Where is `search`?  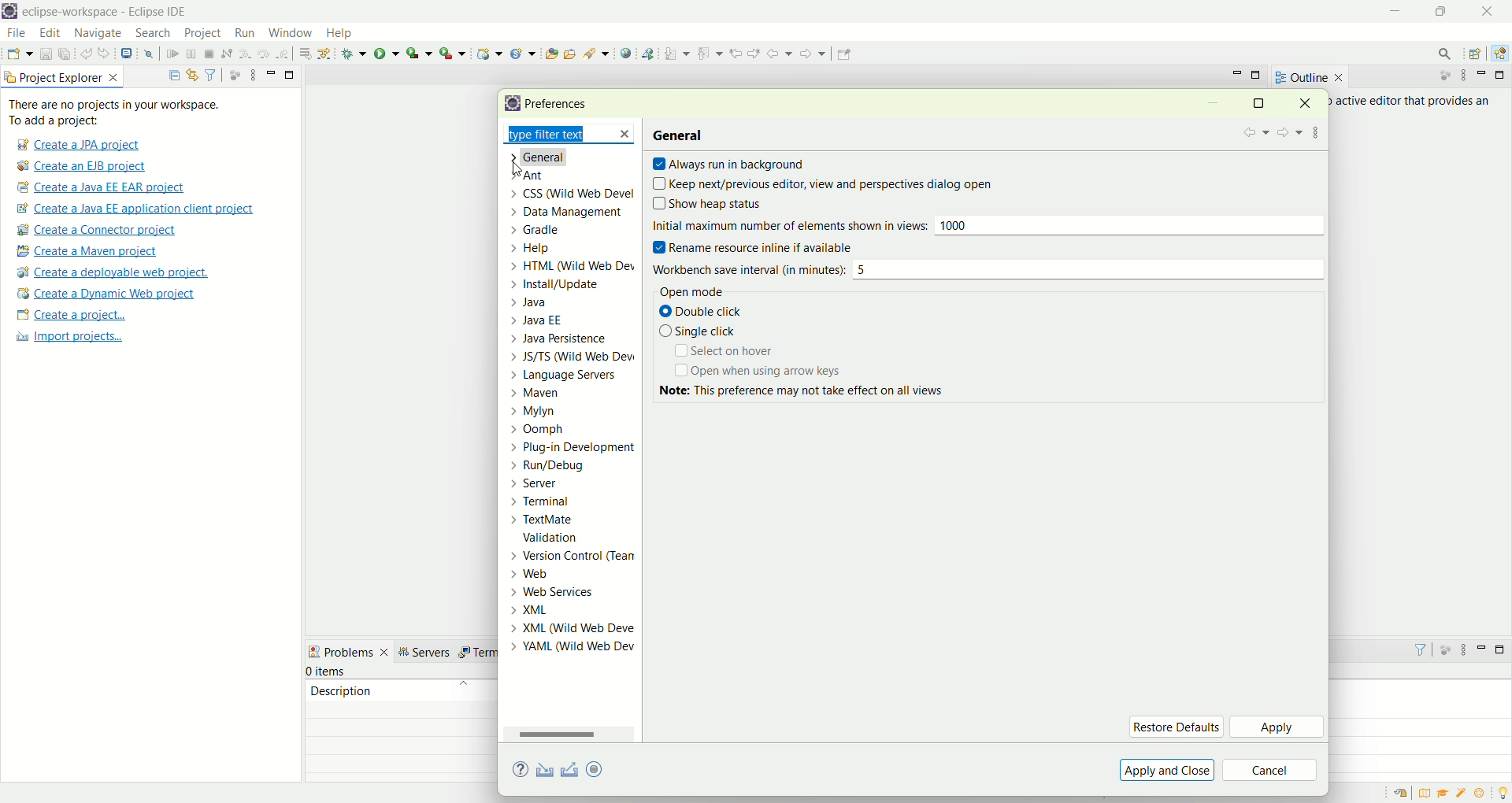
search is located at coordinates (597, 53).